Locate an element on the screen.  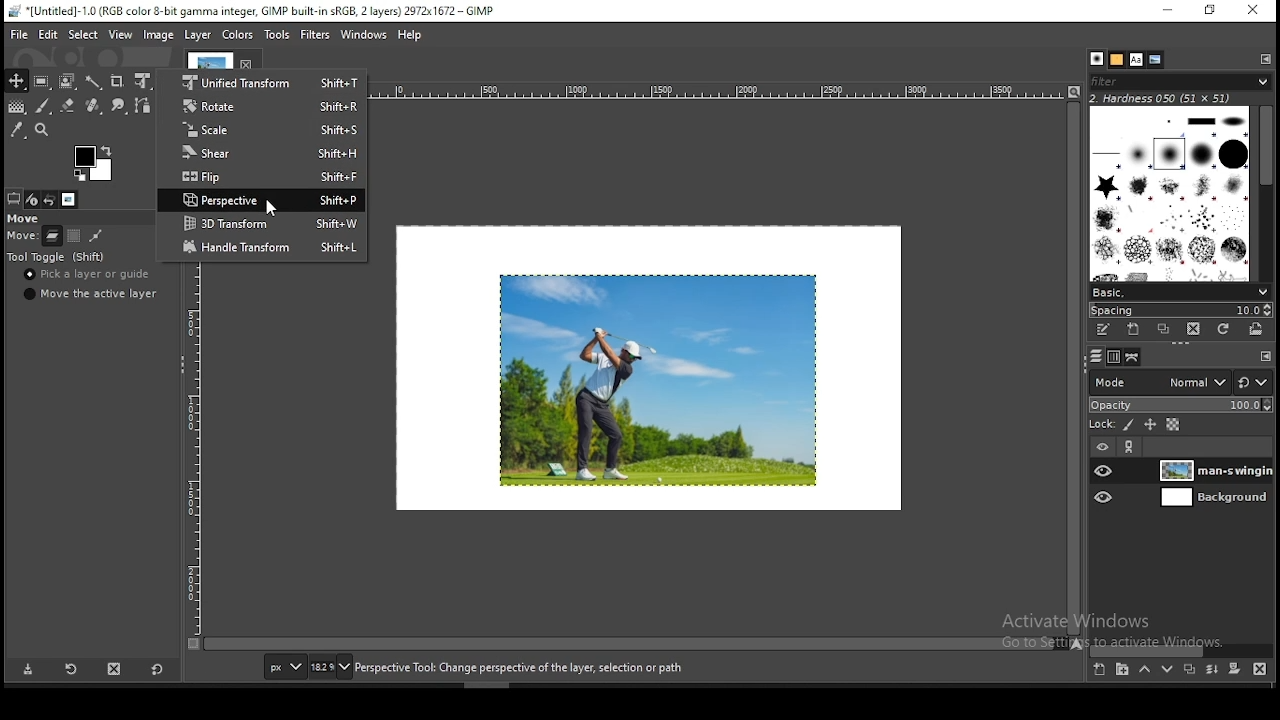
restore tool preset is located at coordinates (70, 669).